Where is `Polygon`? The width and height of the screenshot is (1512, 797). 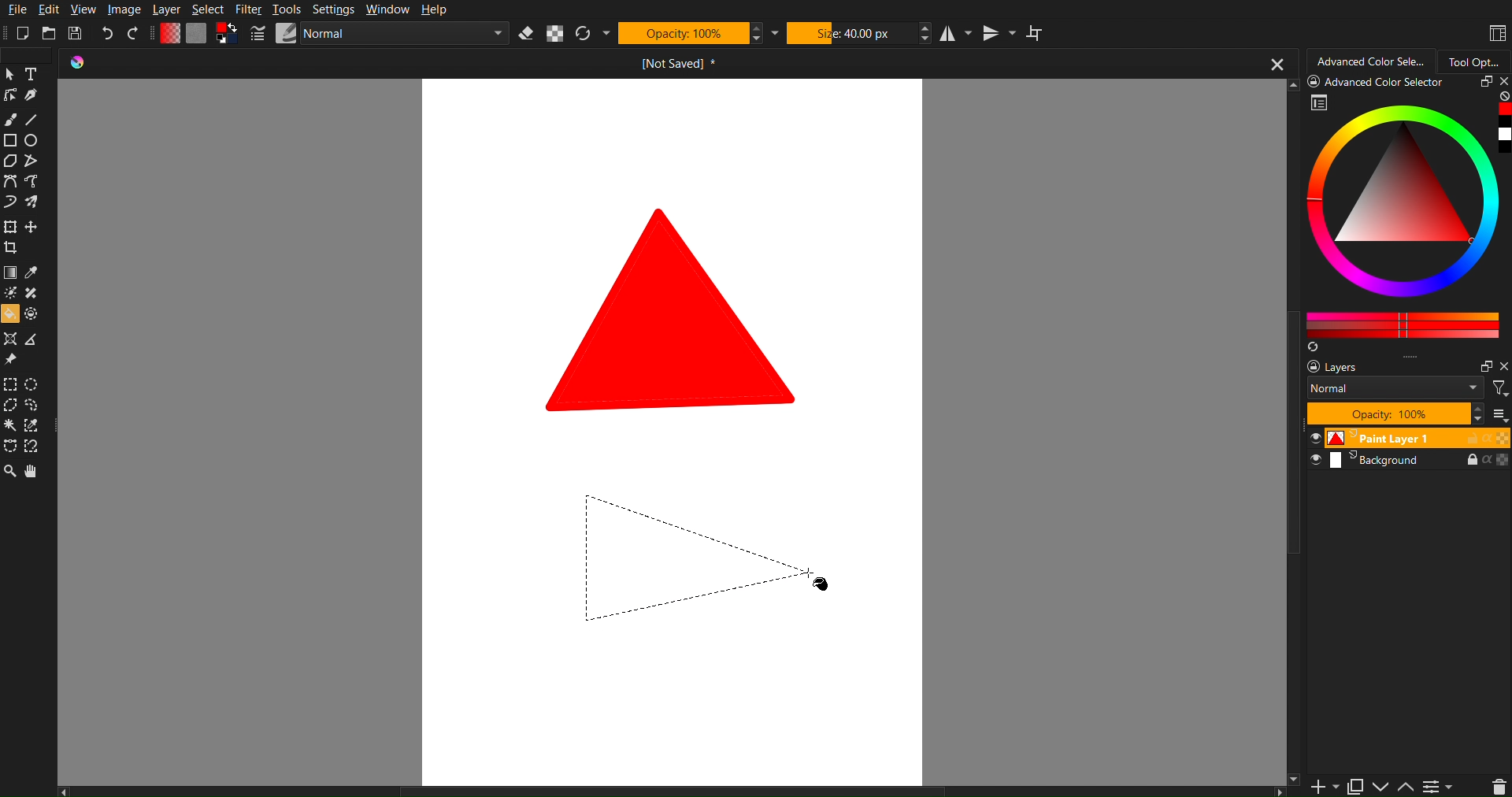 Polygon is located at coordinates (9, 161).